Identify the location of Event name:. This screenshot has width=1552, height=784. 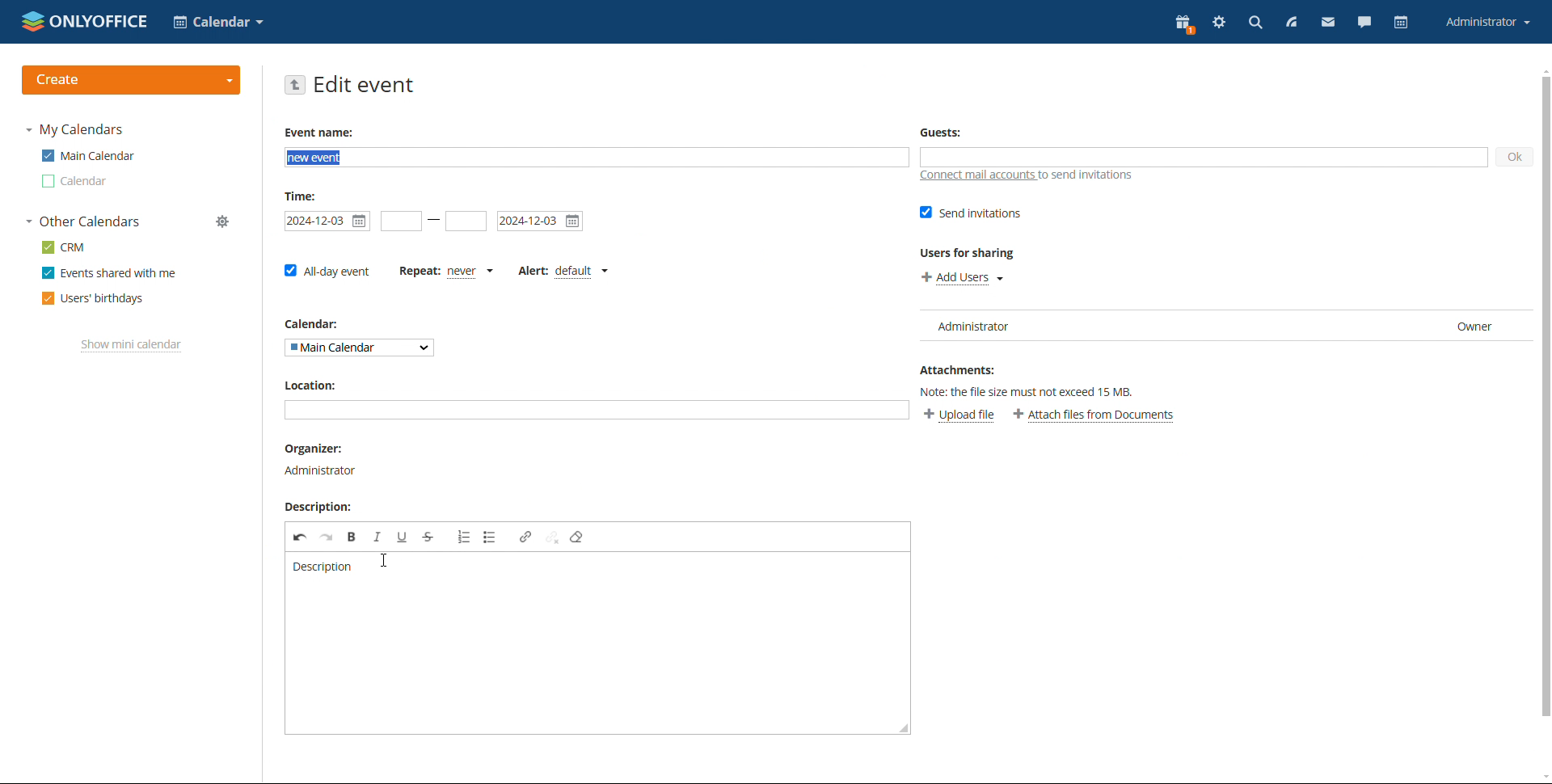
(323, 130).